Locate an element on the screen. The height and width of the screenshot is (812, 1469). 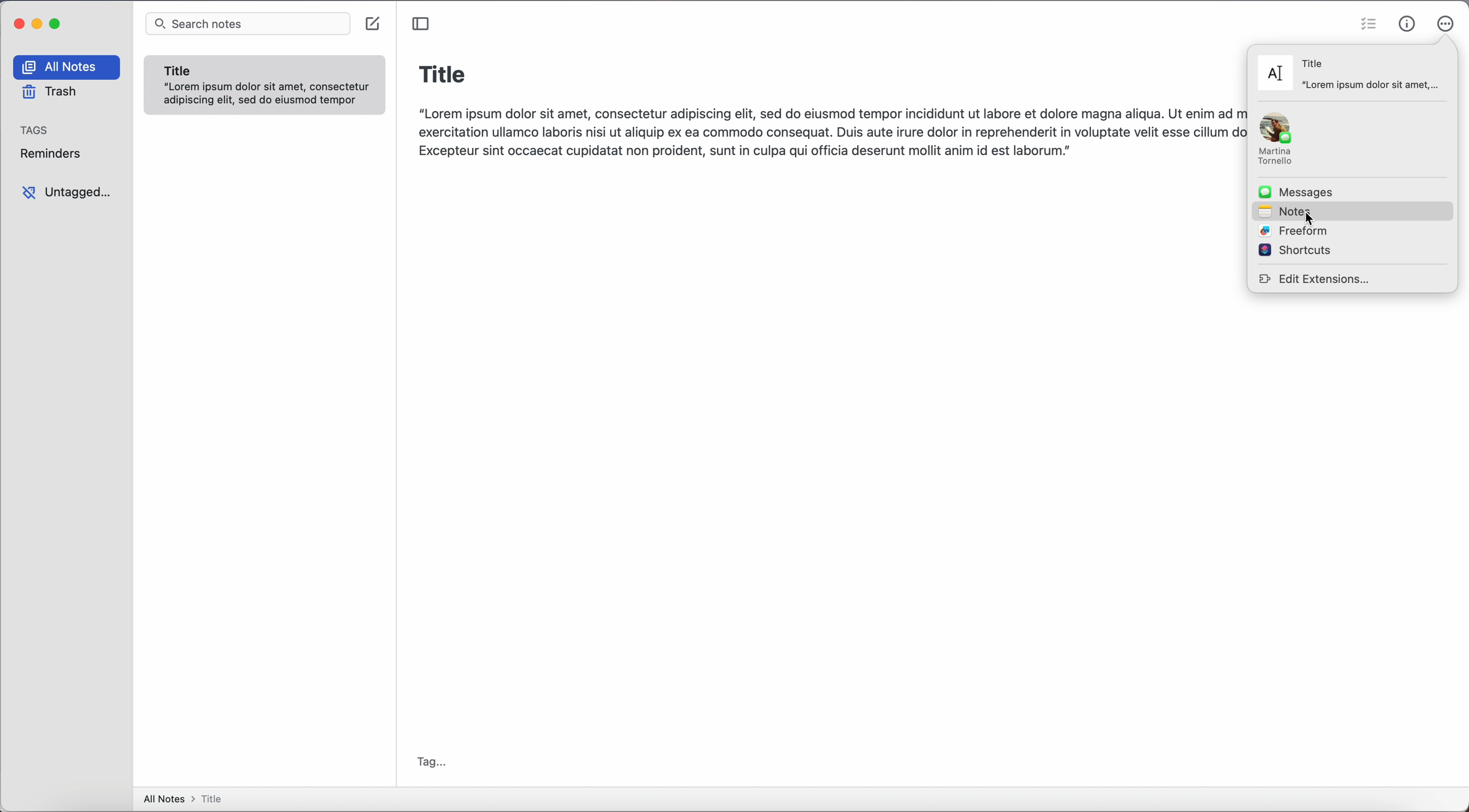
all notes > title is located at coordinates (186, 798).